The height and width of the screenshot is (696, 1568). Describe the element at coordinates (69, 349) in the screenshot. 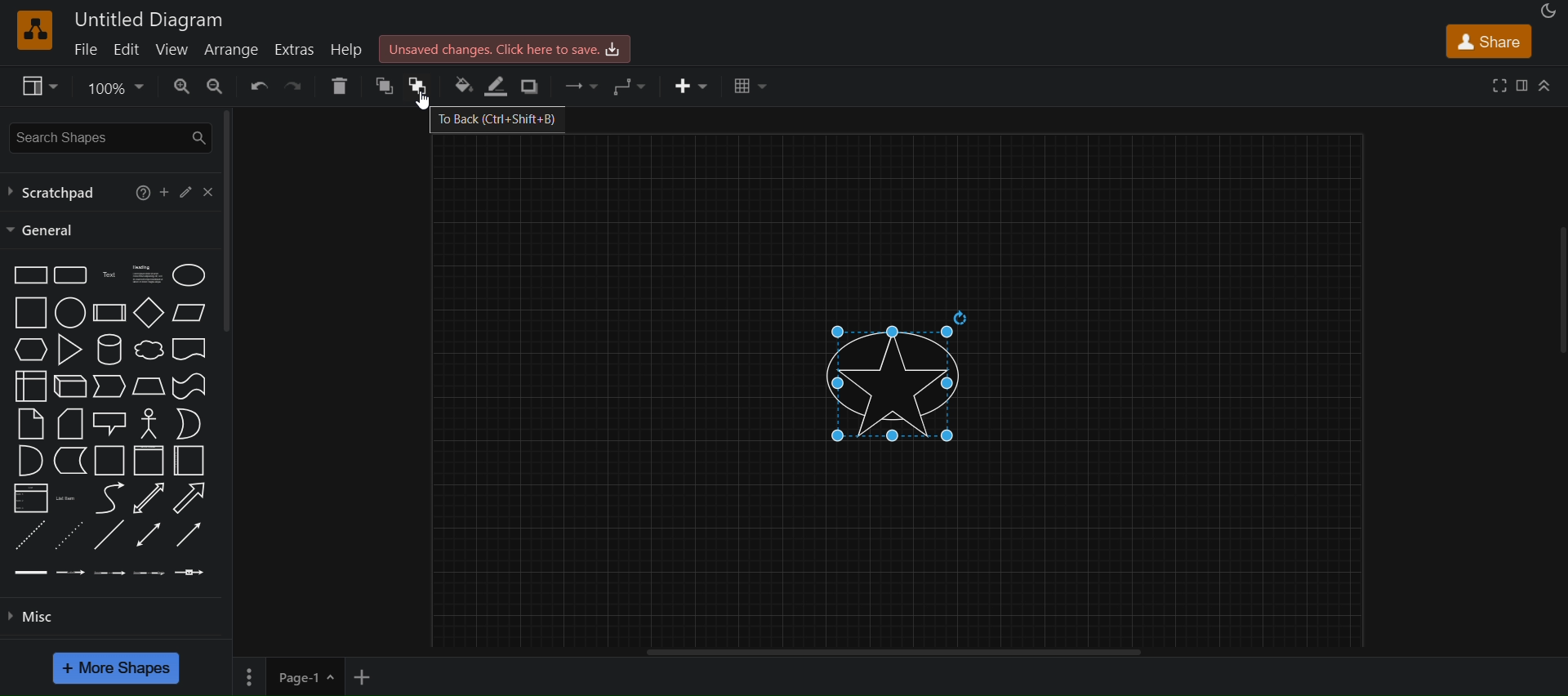

I see `triangle` at that location.